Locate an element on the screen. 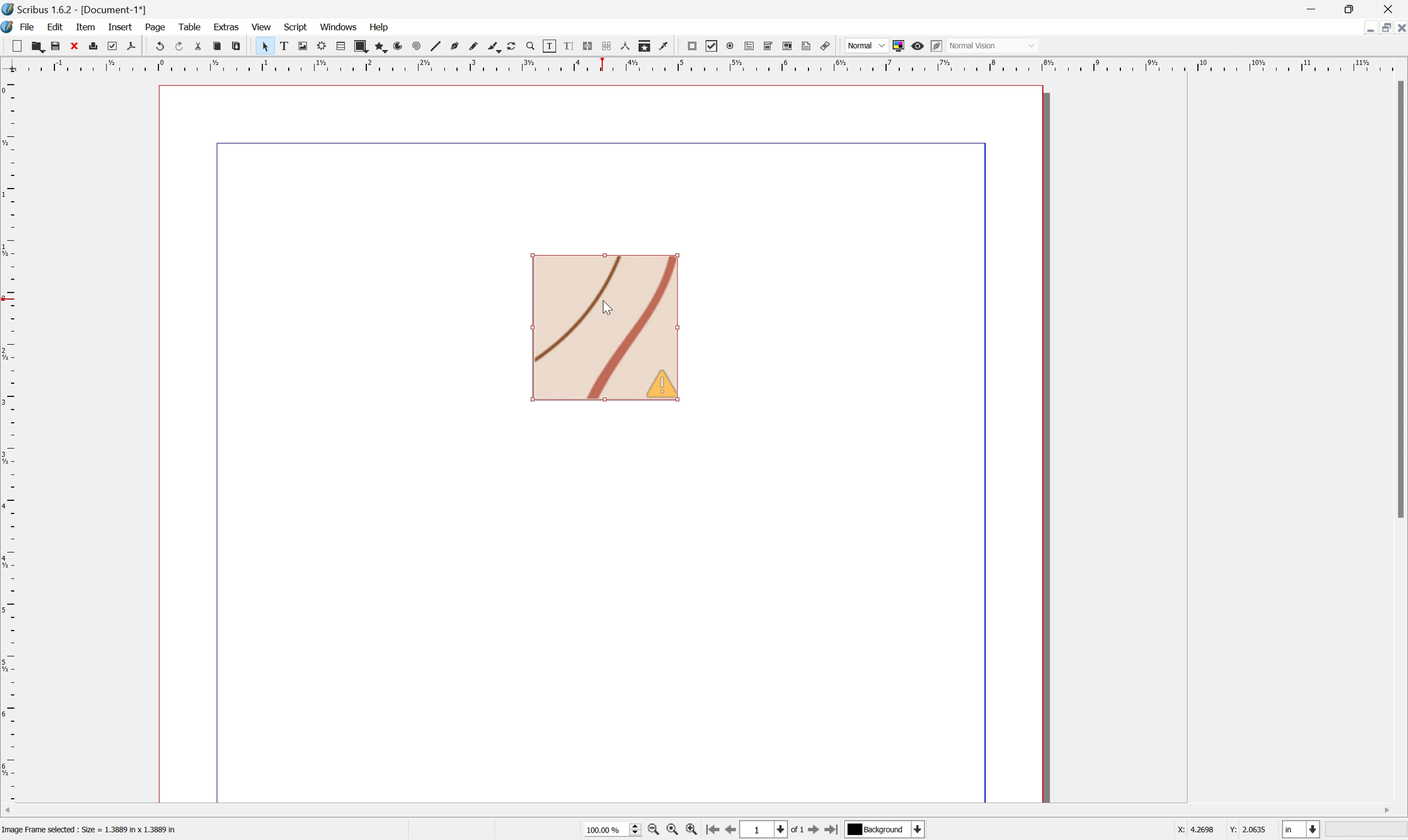 Image resolution: width=1408 pixels, height=840 pixels. Polygon is located at coordinates (382, 48).